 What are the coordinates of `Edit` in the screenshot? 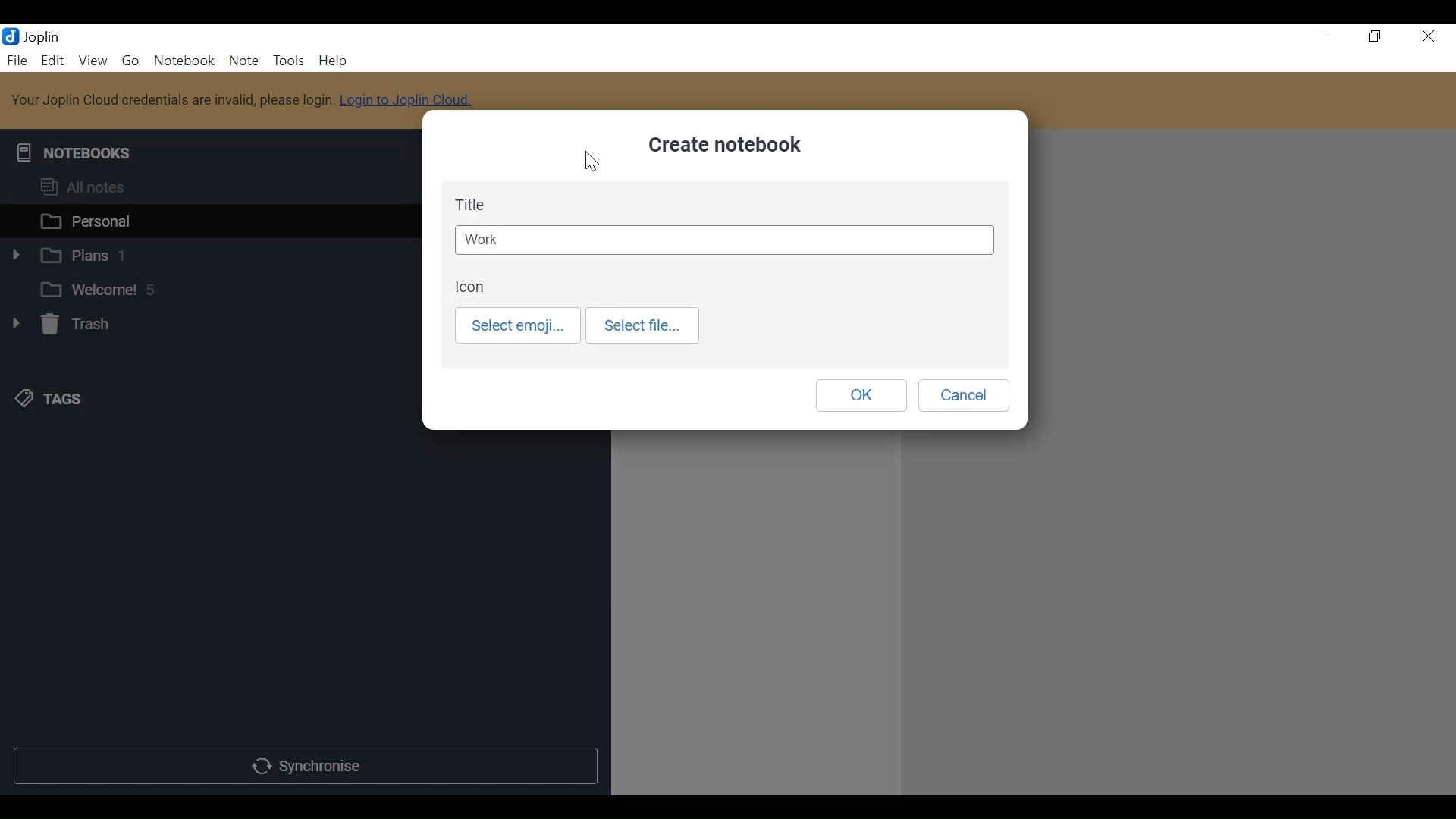 It's located at (51, 60).